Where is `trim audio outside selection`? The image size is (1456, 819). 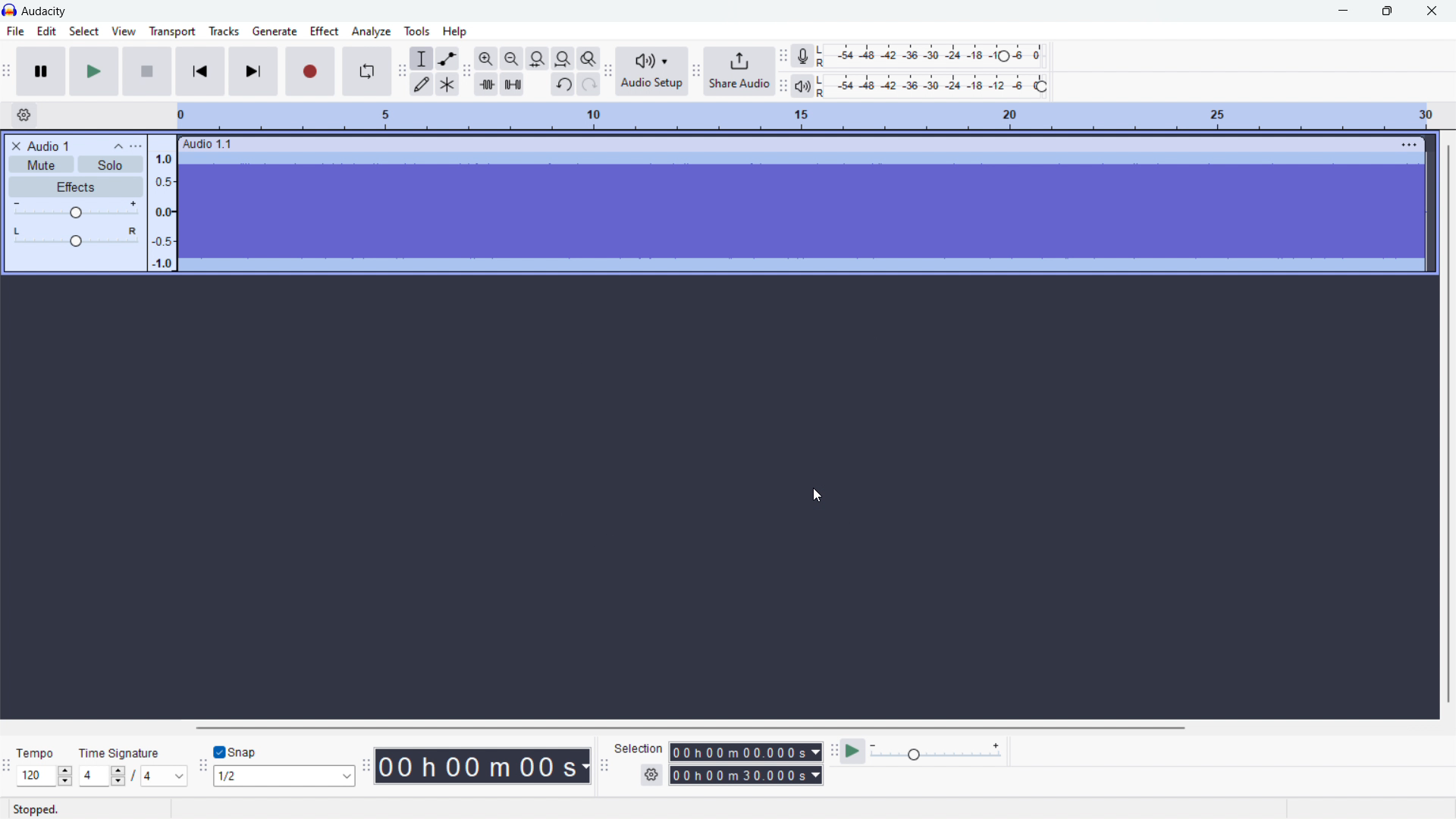 trim audio outside selection is located at coordinates (487, 83).